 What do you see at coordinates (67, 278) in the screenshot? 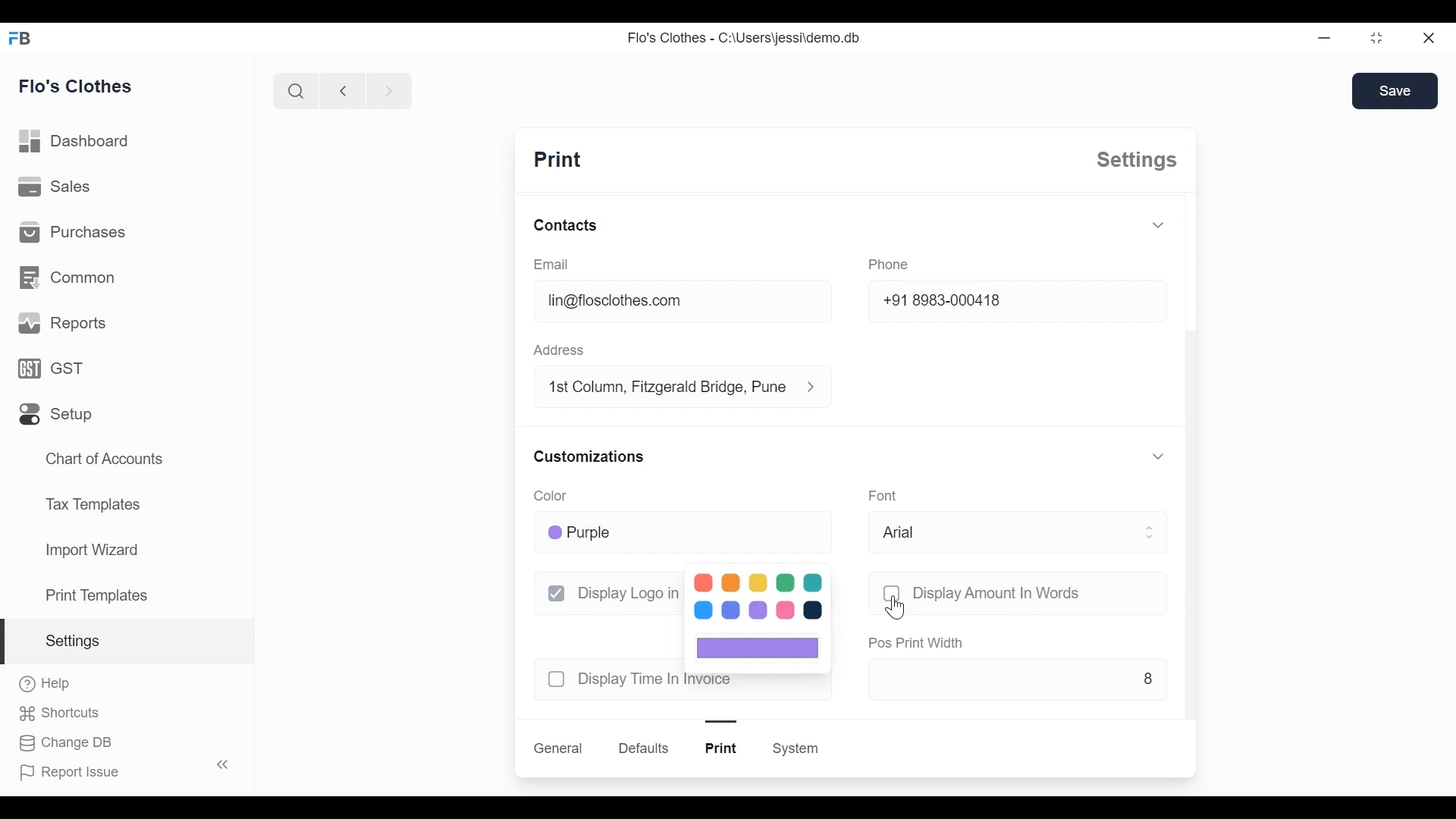
I see `common` at bounding box center [67, 278].